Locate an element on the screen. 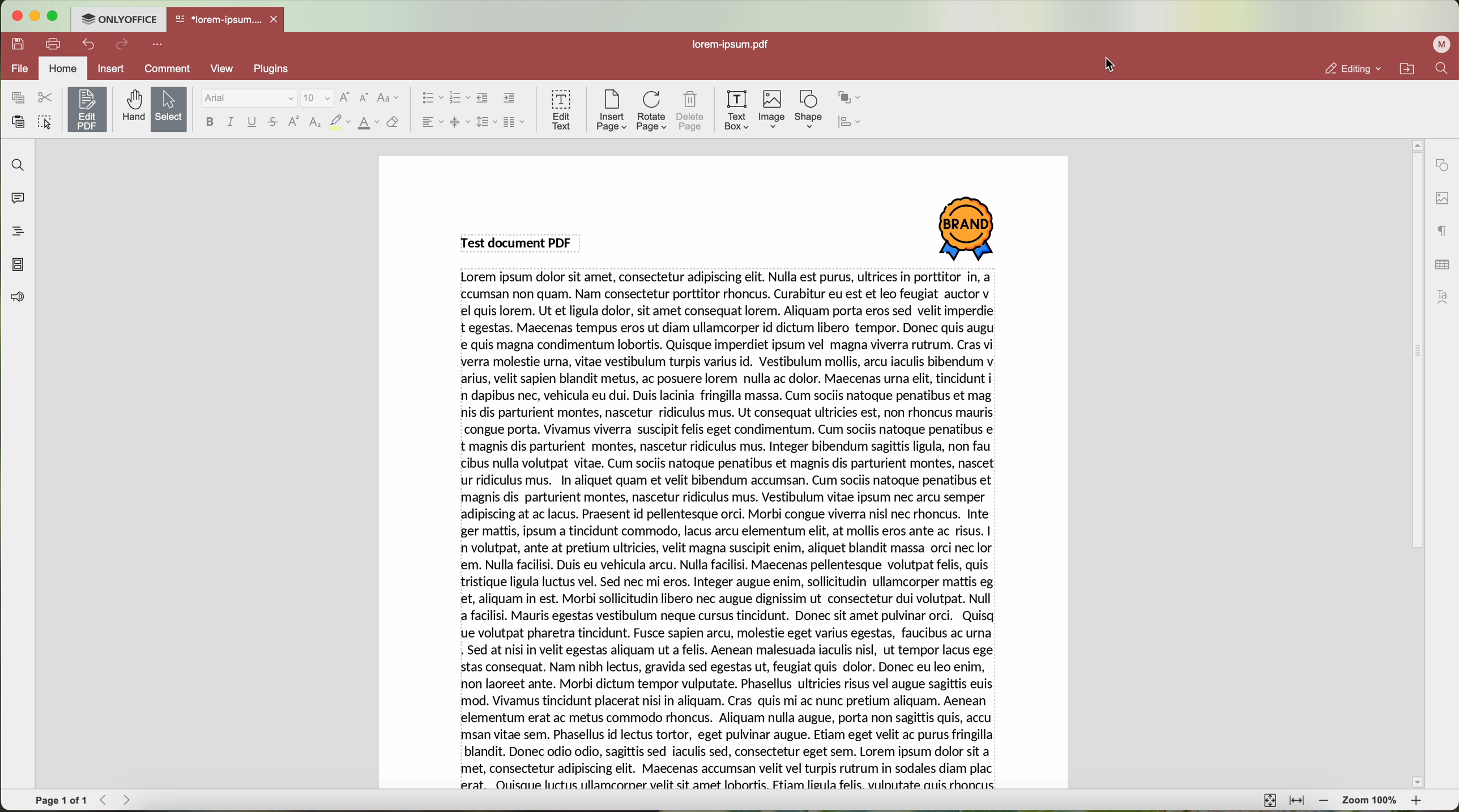 The height and width of the screenshot is (812, 1459). text box is located at coordinates (737, 110).